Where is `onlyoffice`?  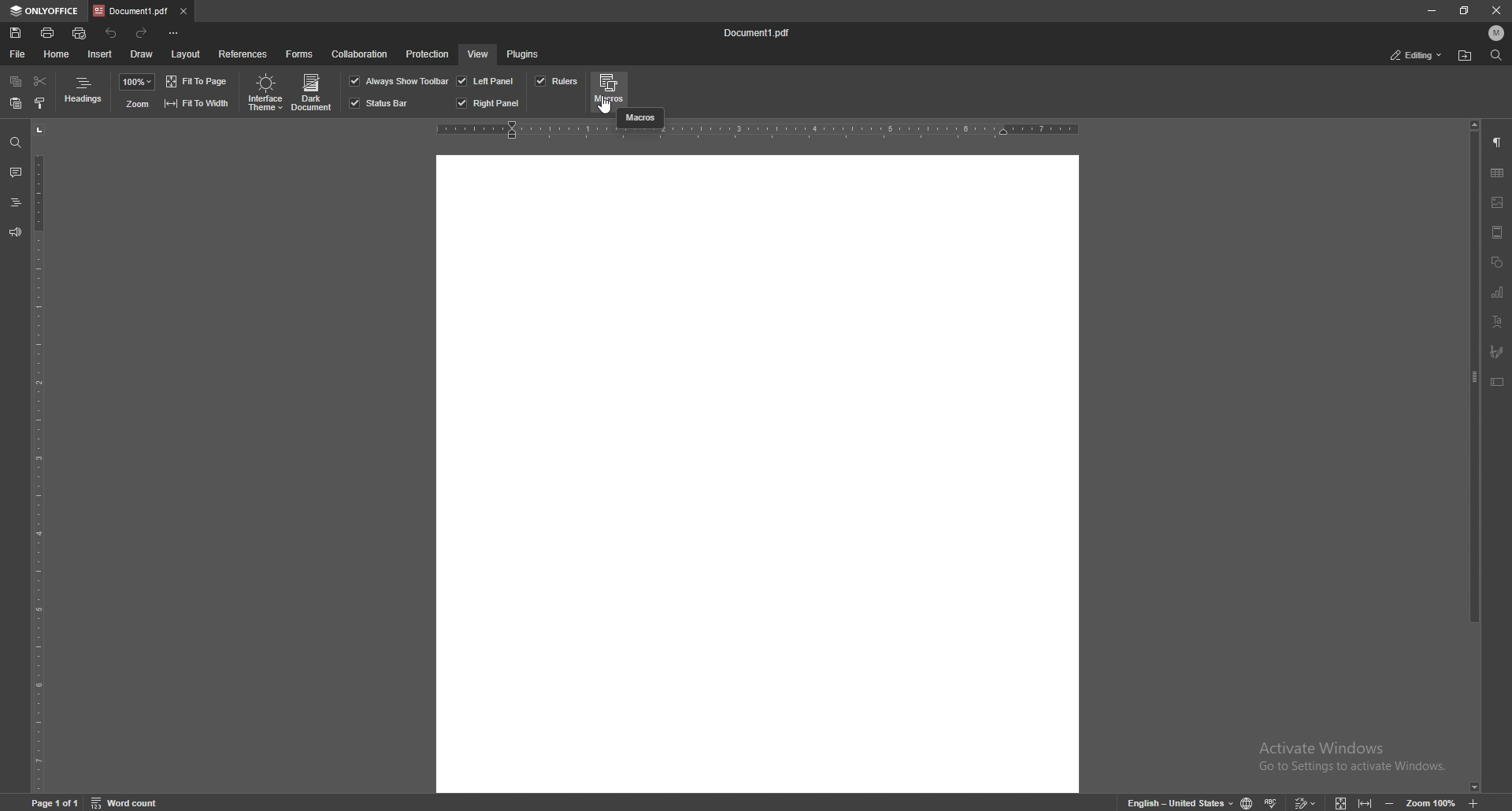
onlyoffice is located at coordinates (44, 11).